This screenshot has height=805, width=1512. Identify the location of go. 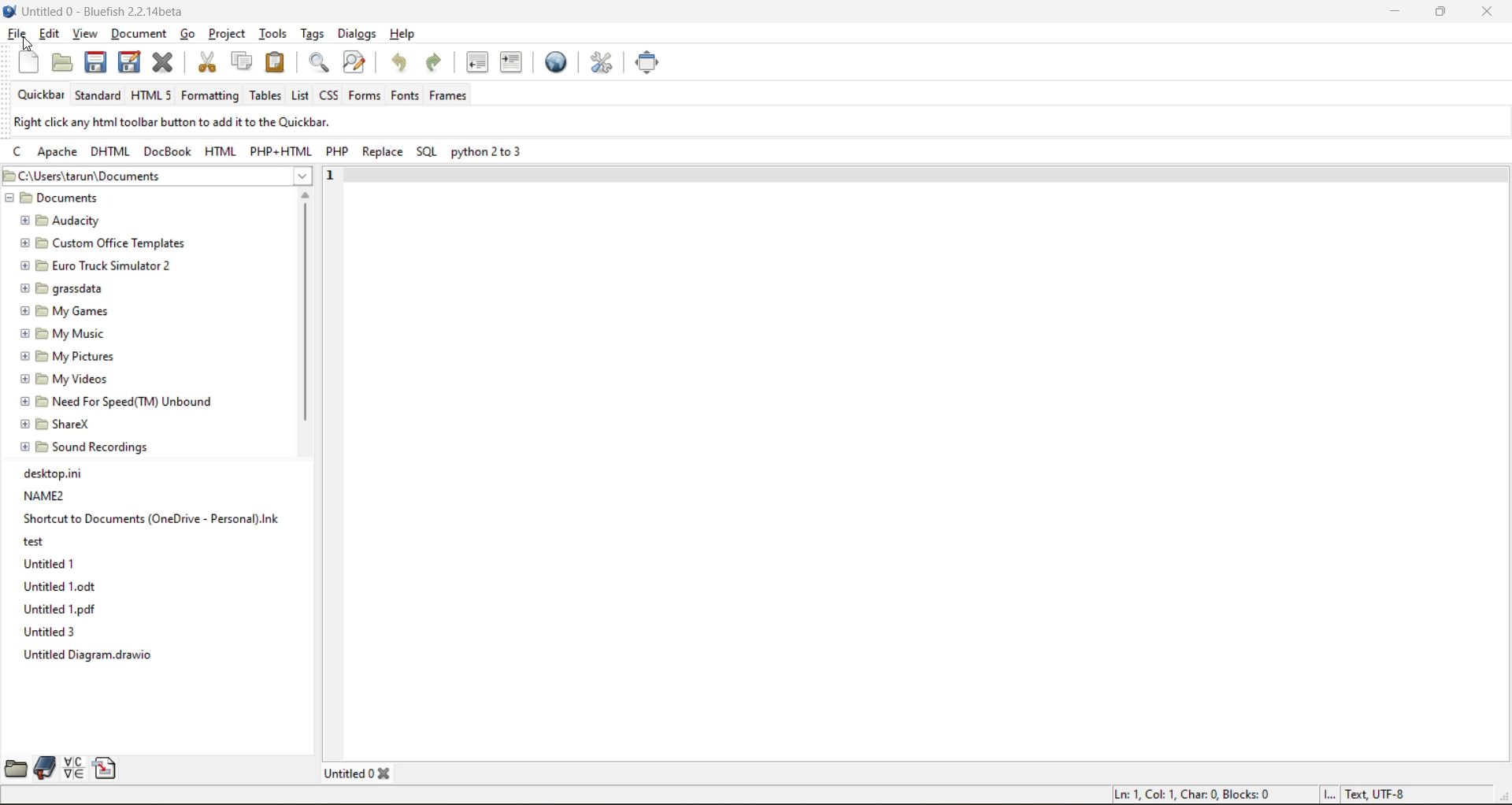
(188, 34).